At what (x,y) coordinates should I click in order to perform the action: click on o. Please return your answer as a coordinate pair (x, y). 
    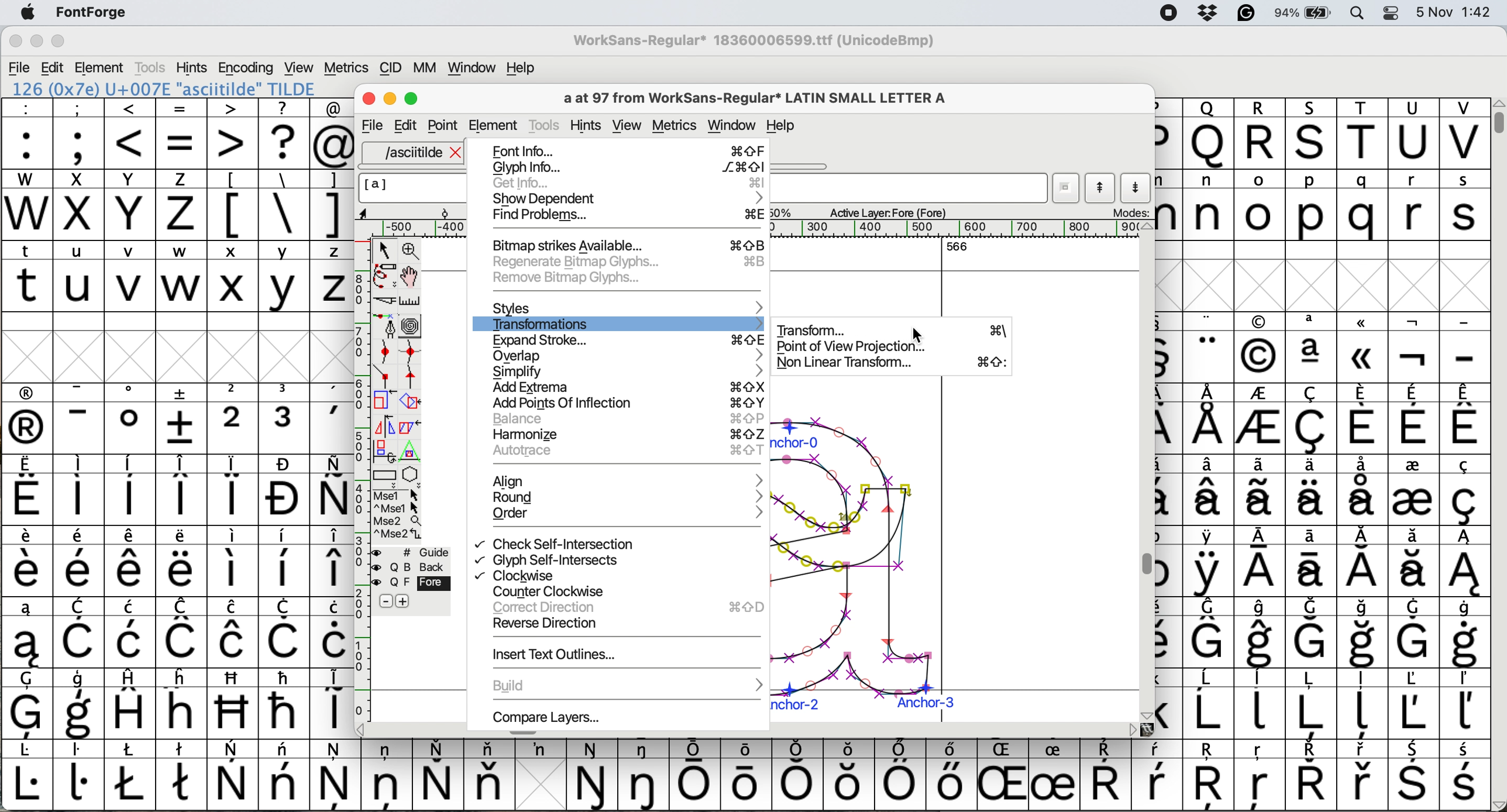
    Looking at the image, I should click on (1261, 207).